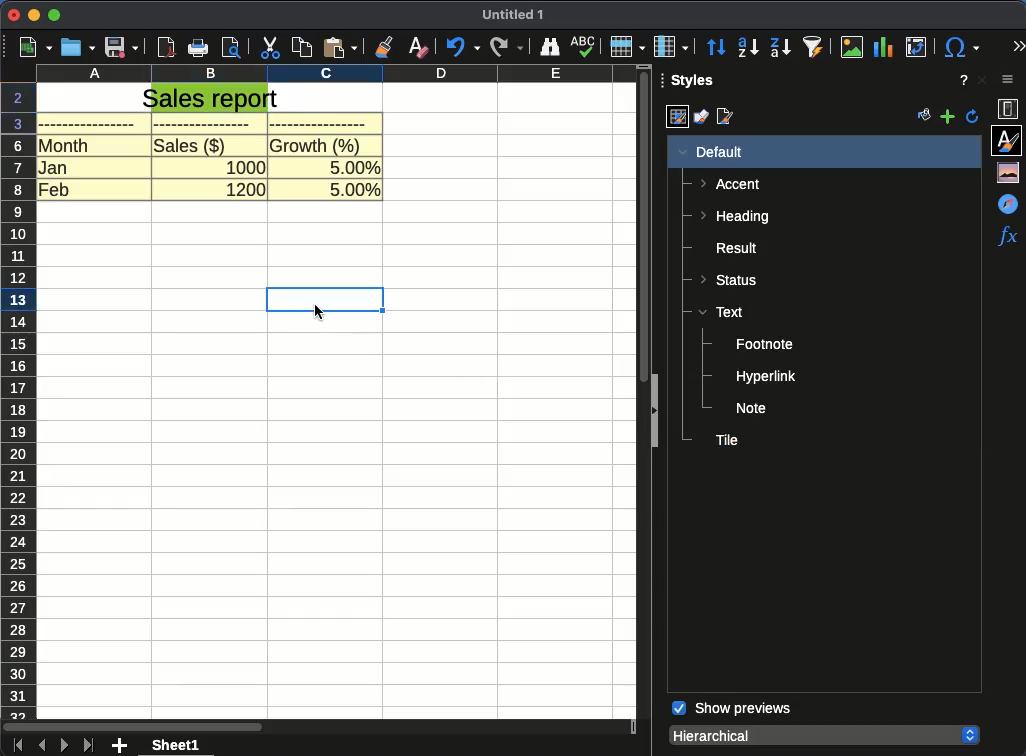 Image resolution: width=1026 pixels, height=756 pixels. I want to click on image, so click(854, 47).